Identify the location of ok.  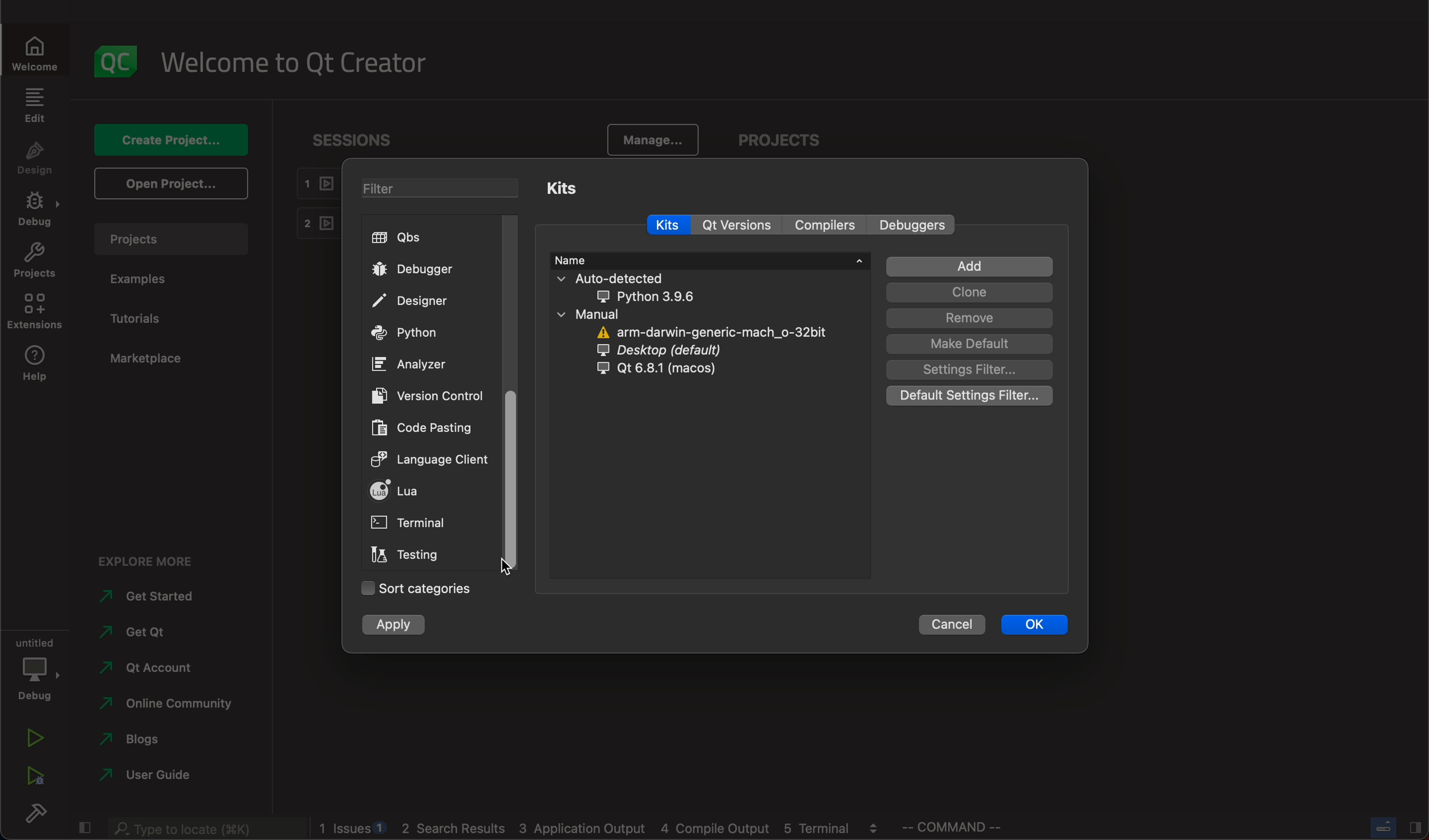
(1039, 623).